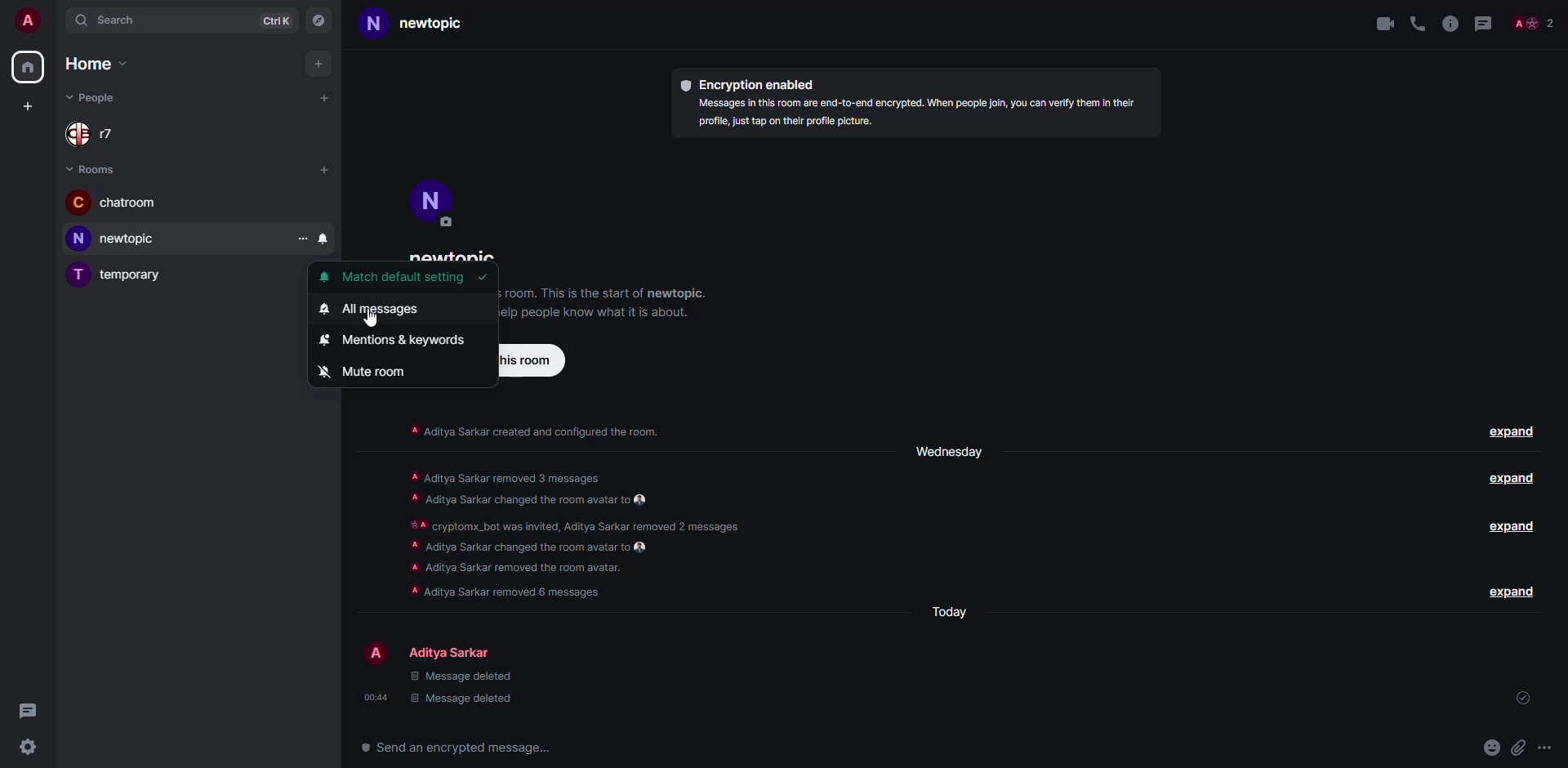 The height and width of the screenshot is (768, 1568). What do you see at coordinates (1514, 478) in the screenshot?
I see `expand` at bounding box center [1514, 478].